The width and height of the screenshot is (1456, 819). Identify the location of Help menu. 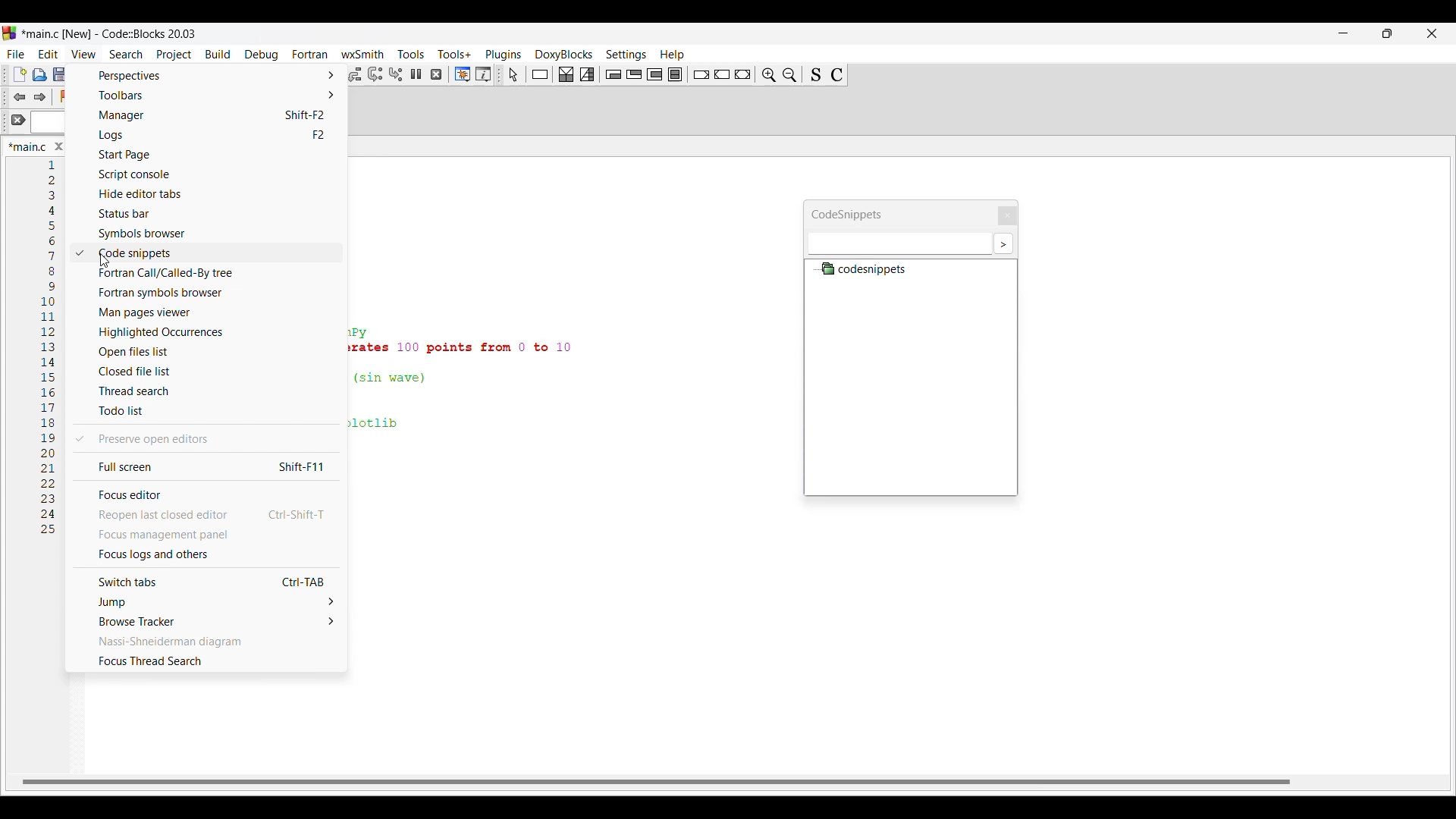
(672, 55).